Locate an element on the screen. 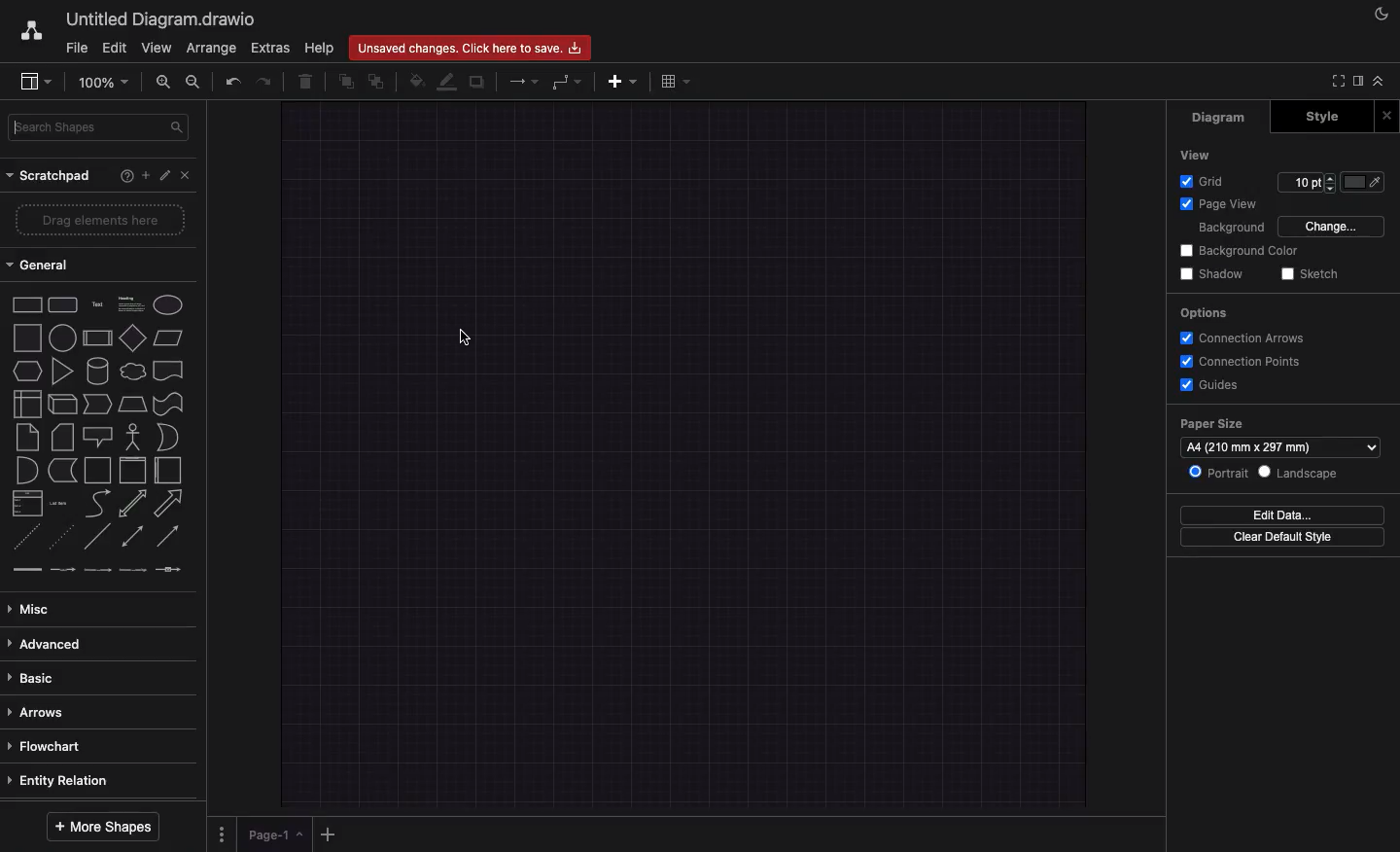  Size is located at coordinates (1307, 183).